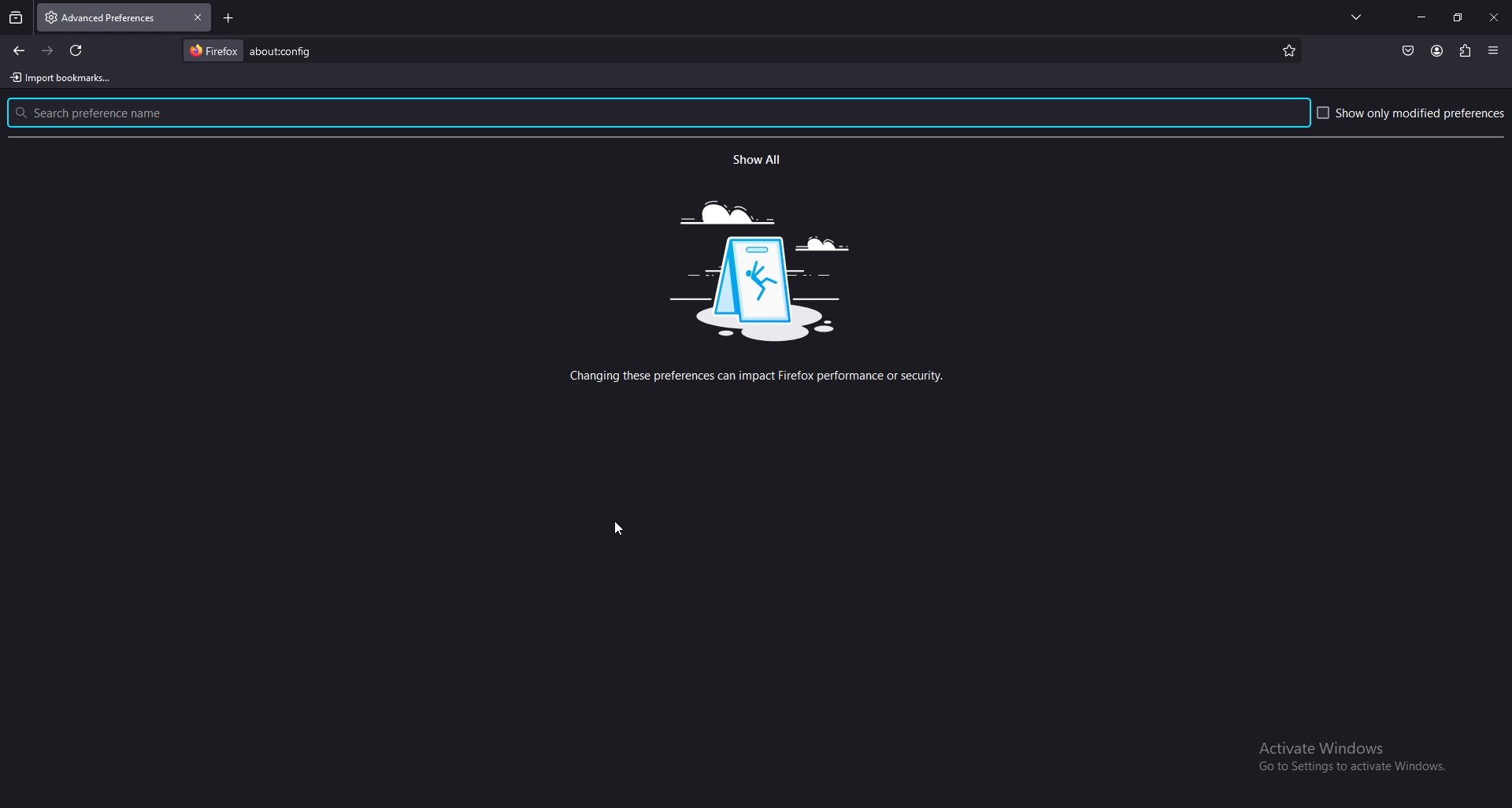  I want to click on tab, so click(93, 16).